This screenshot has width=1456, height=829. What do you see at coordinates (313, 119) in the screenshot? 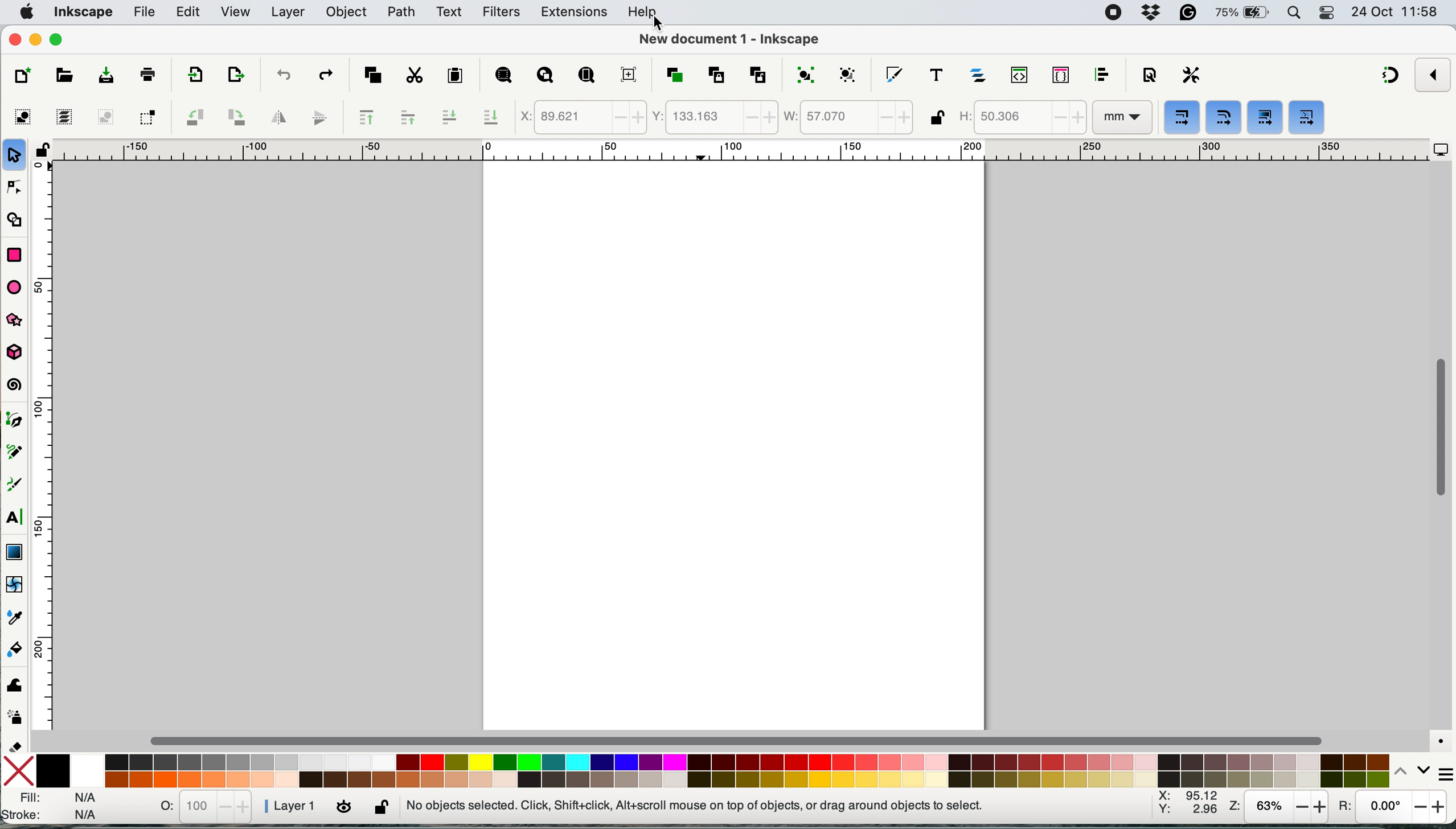
I see `flip vertically` at bounding box center [313, 119].